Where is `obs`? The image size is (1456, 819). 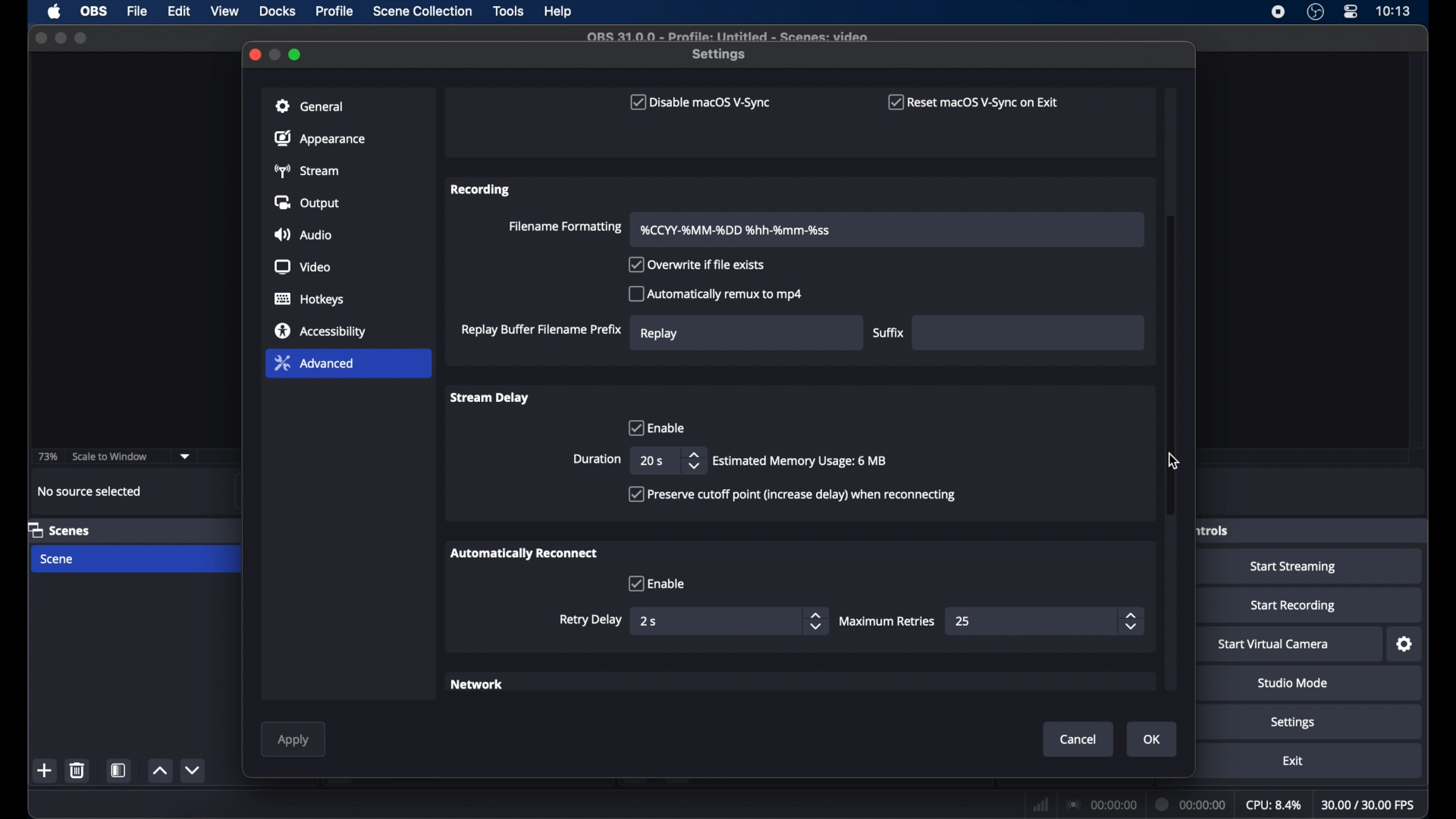
obs is located at coordinates (96, 11).